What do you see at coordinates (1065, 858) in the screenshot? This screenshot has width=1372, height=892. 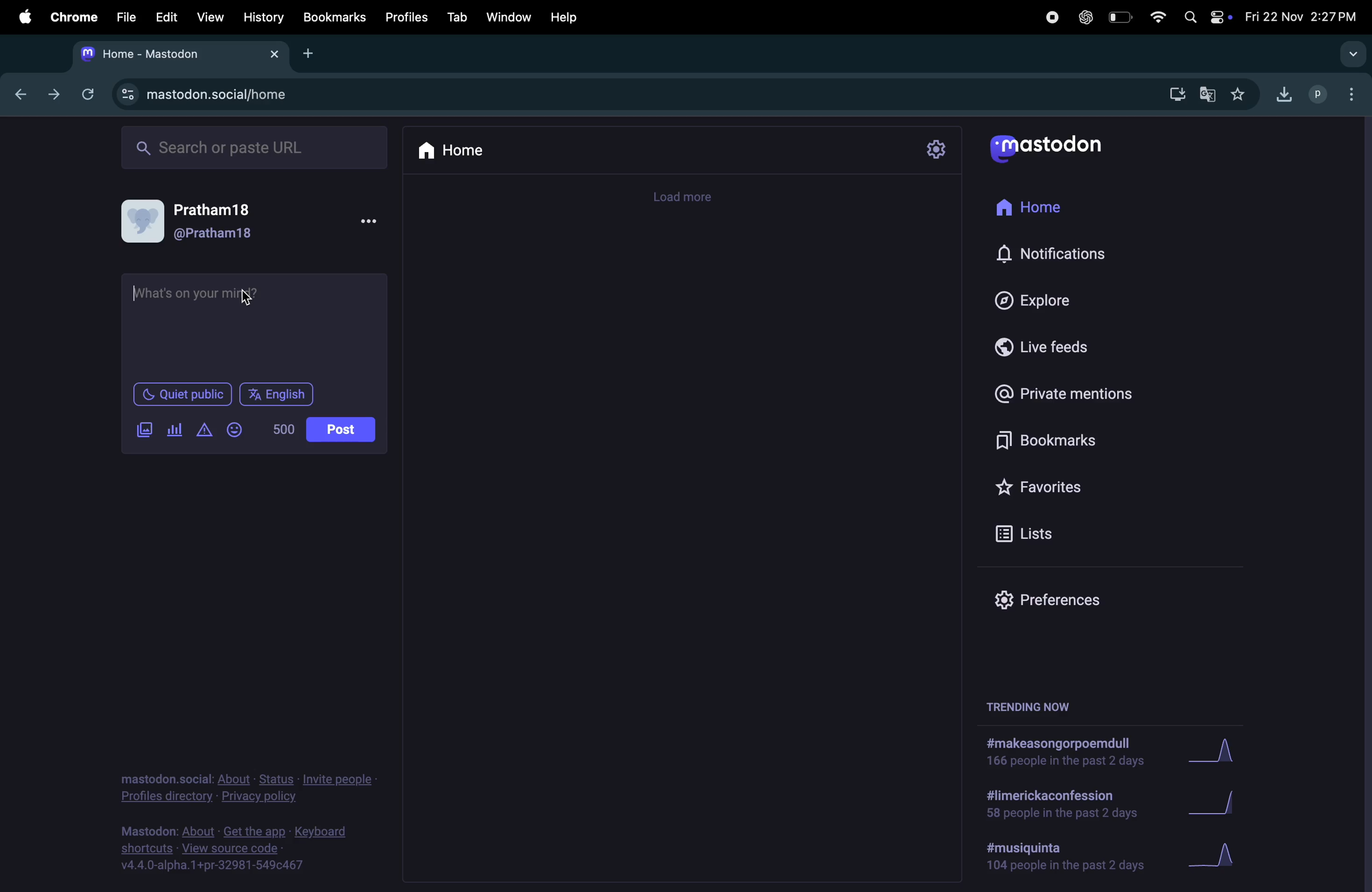 I see `hashtag` at bounding box center [1065, 858].